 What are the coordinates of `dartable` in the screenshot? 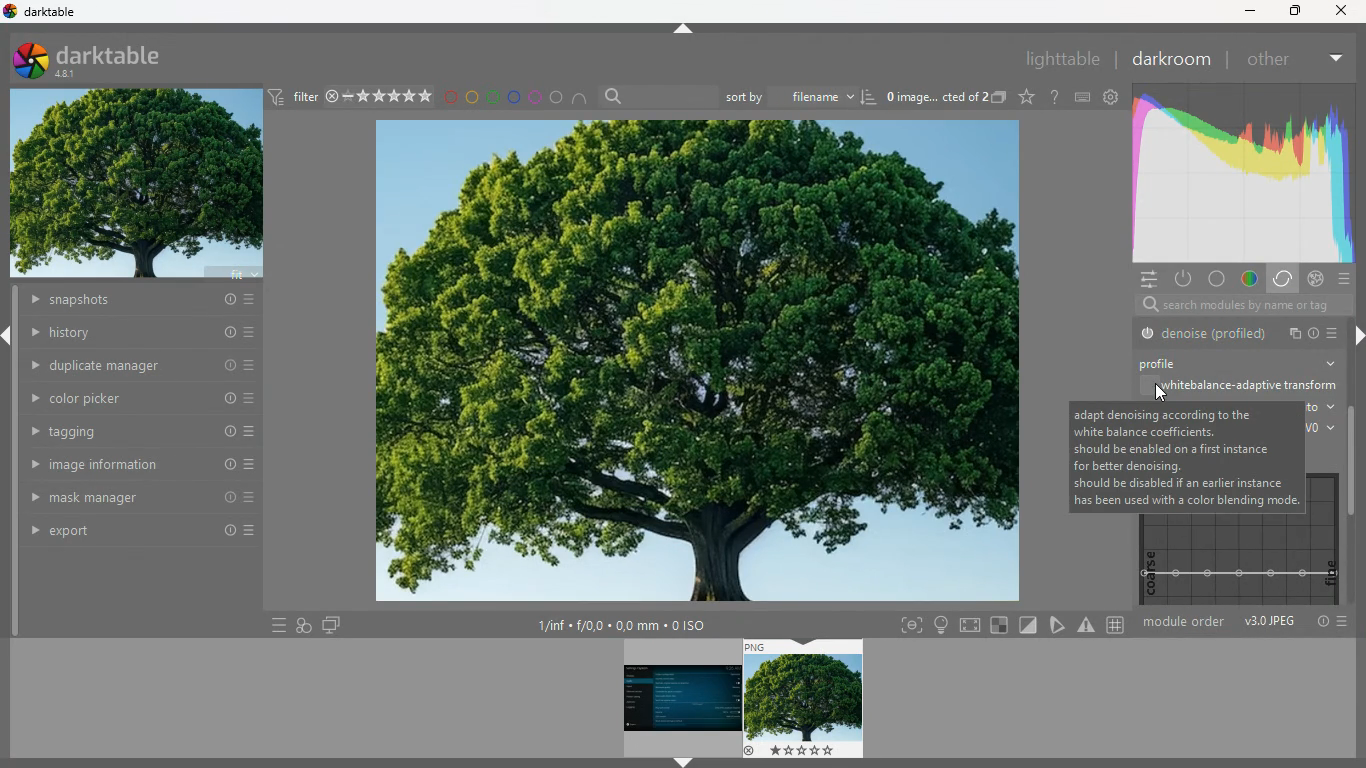 It's located at (42, 12).